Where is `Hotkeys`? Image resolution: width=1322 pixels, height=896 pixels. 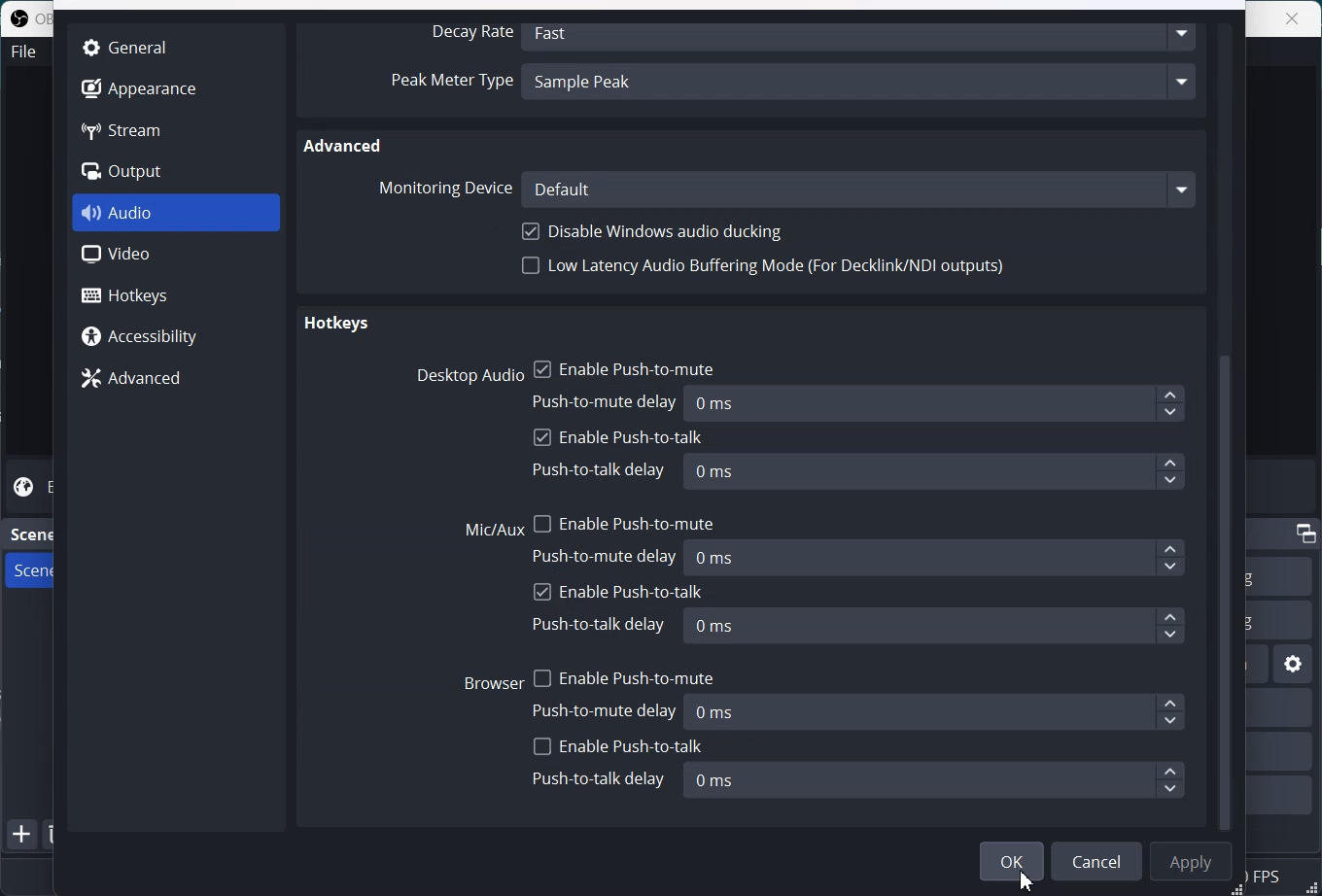 Hotkeys is located at coordinates (335, 326).